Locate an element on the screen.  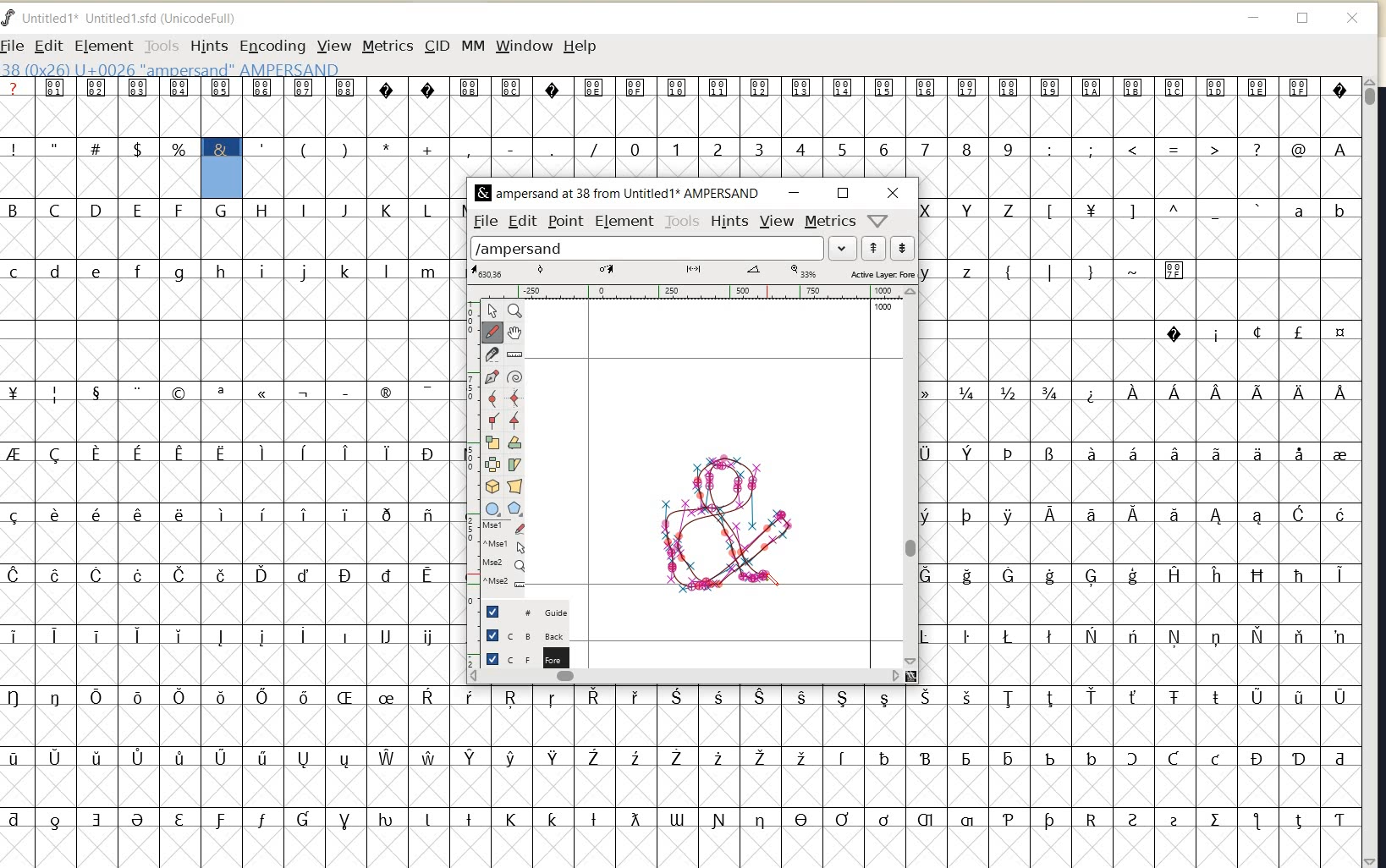
pointer is located at coordinates (493, 310).